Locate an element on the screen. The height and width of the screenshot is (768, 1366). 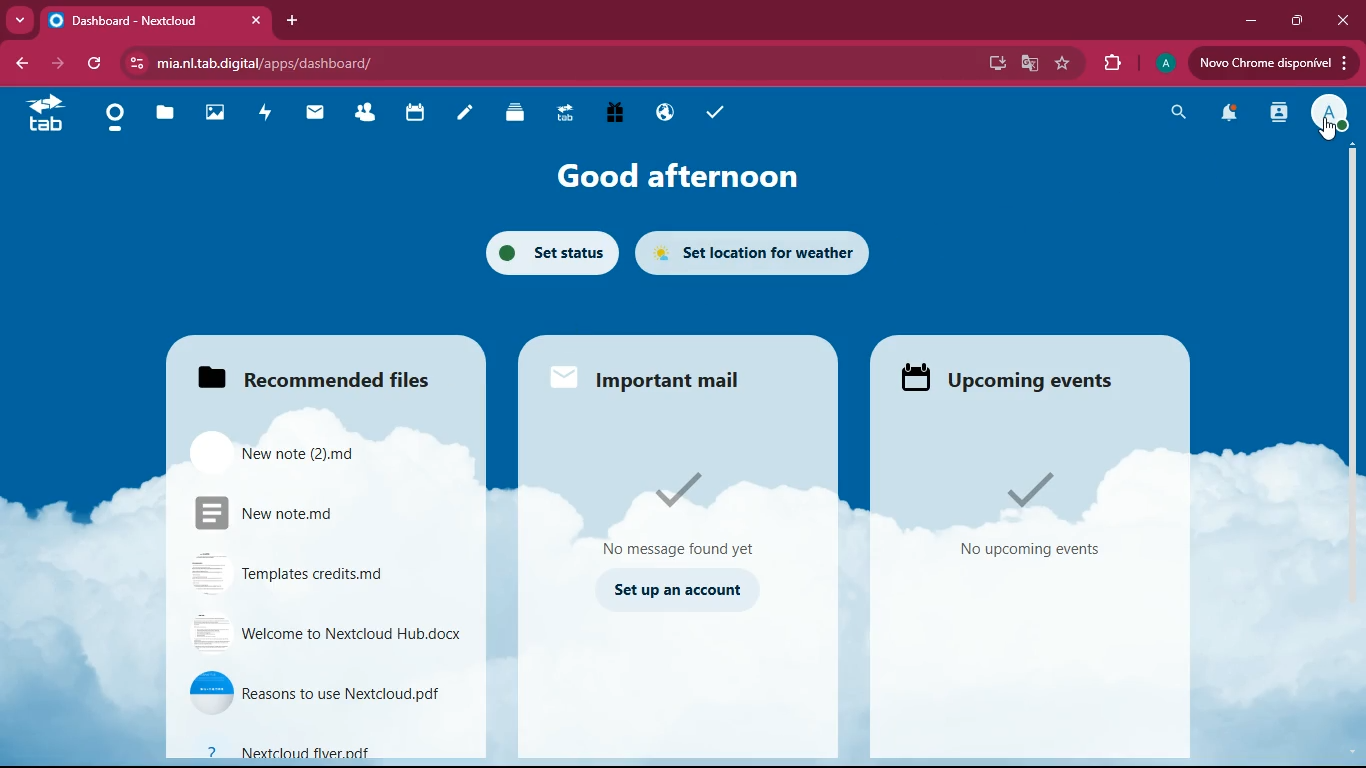
favourite is located at coordinates (1065, 64).